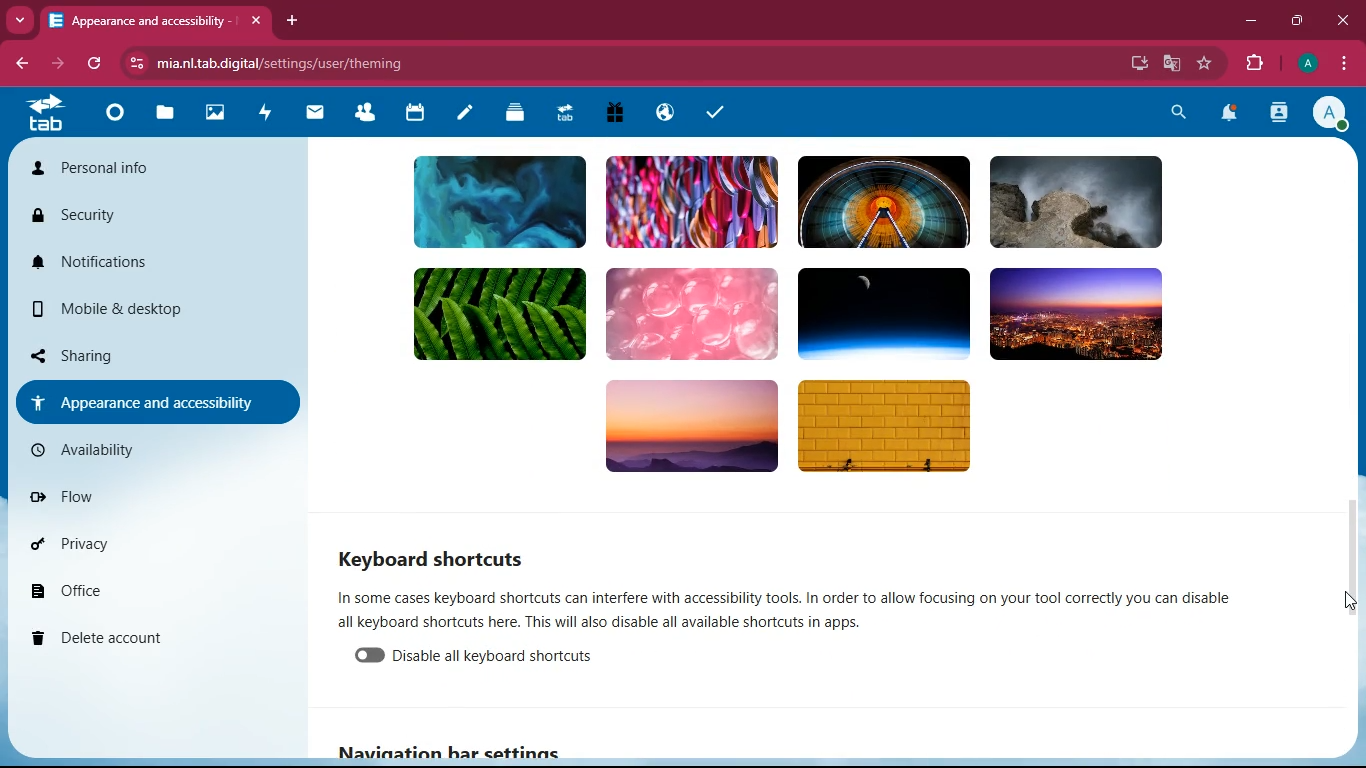 The height and width of the screenshot is (768, 1366). What do you see at coordinates (503, 658) in the screenshot?
I see `disable` at bounding box center [503, 658].